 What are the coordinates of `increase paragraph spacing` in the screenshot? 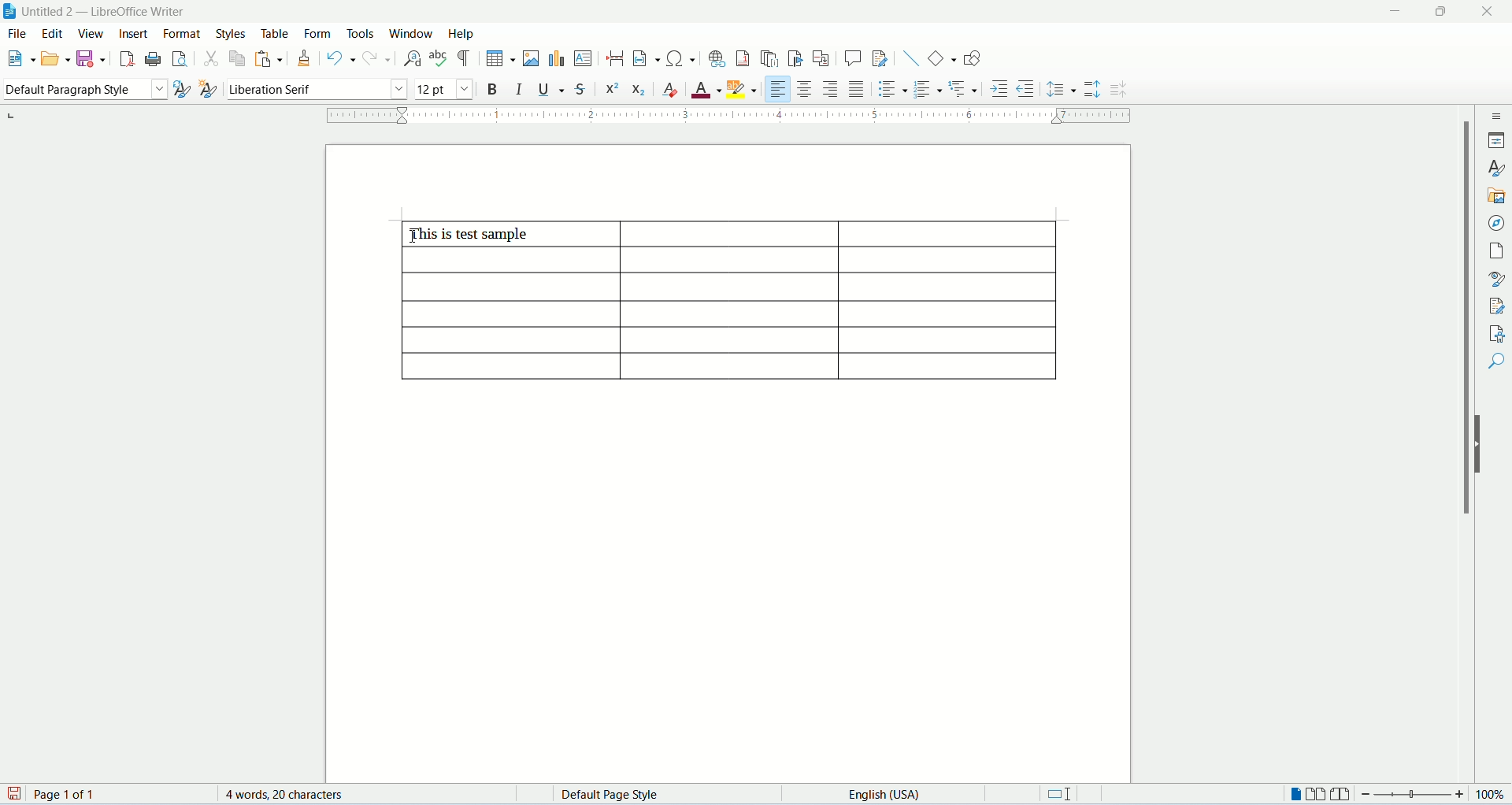 It's located at (1094, 90).